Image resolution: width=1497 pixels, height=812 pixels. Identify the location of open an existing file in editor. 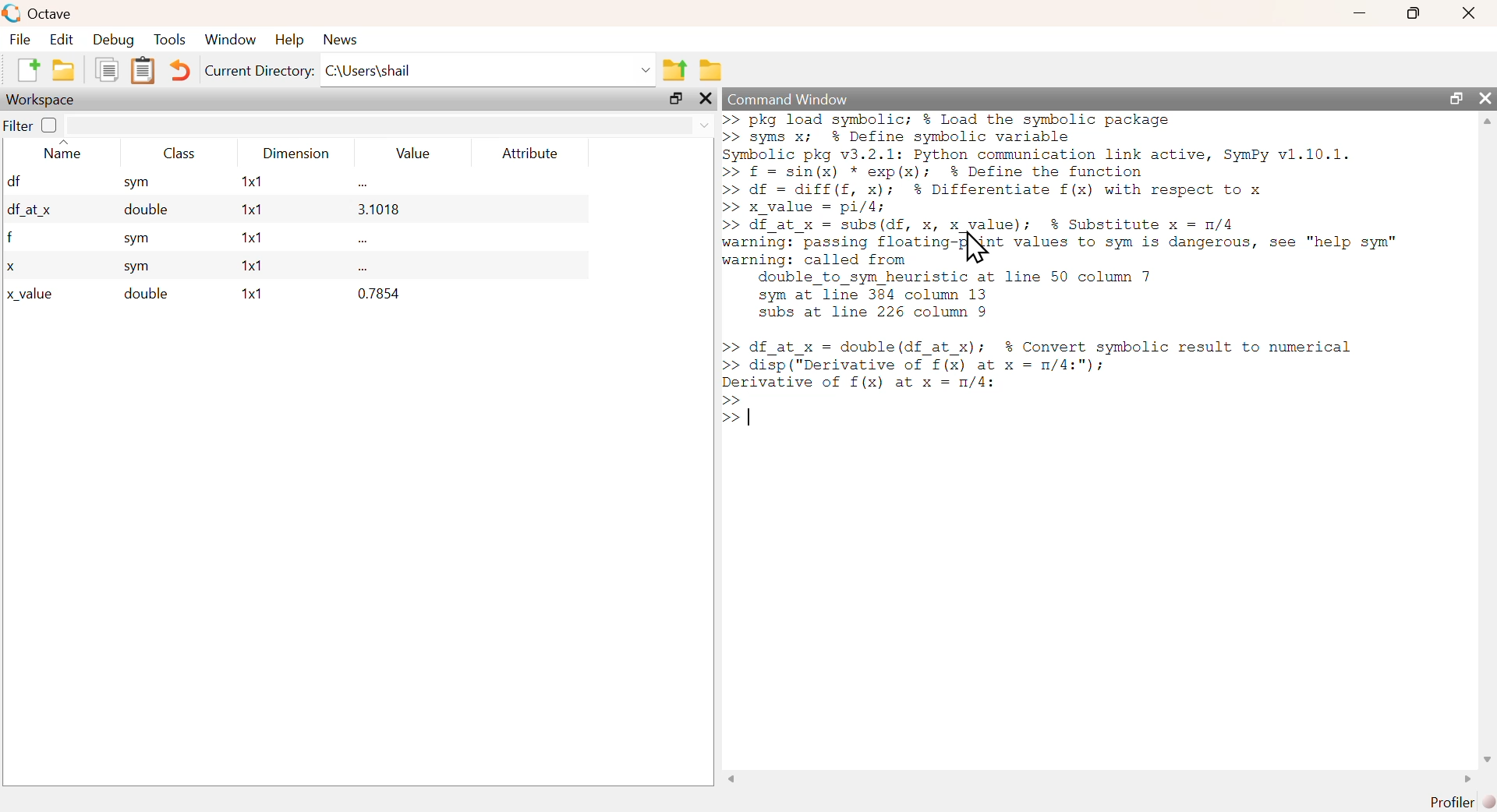
(65, 69).